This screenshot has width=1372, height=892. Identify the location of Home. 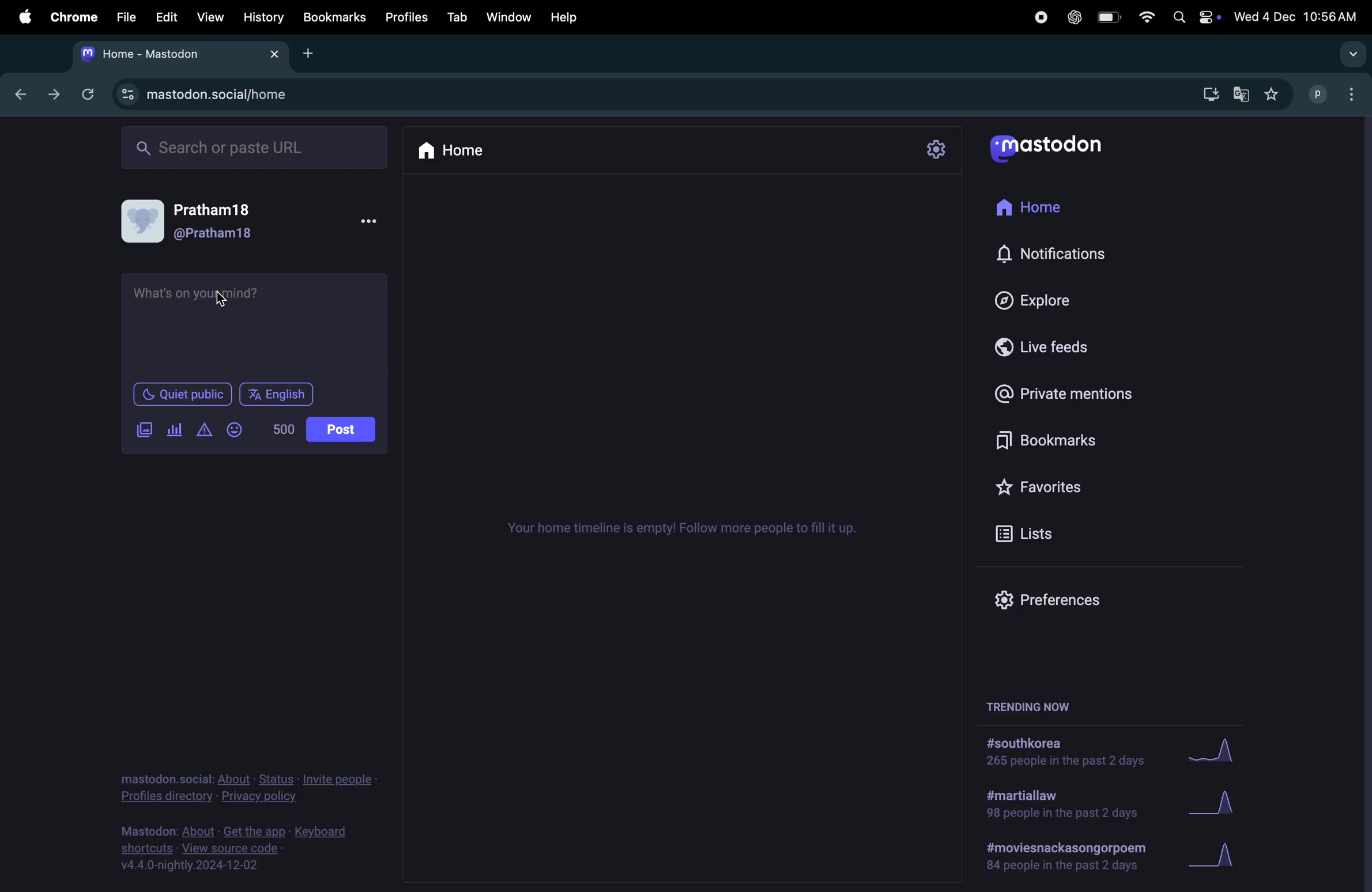
(1039, 210).